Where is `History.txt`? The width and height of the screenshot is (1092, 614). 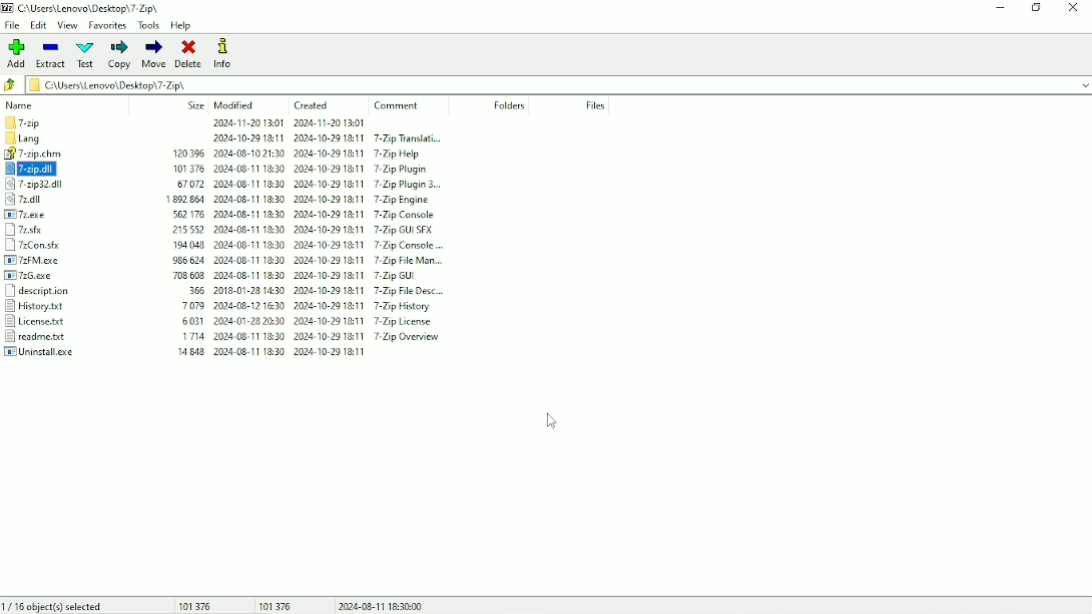
History.txt is located at coordinates (37, 307).